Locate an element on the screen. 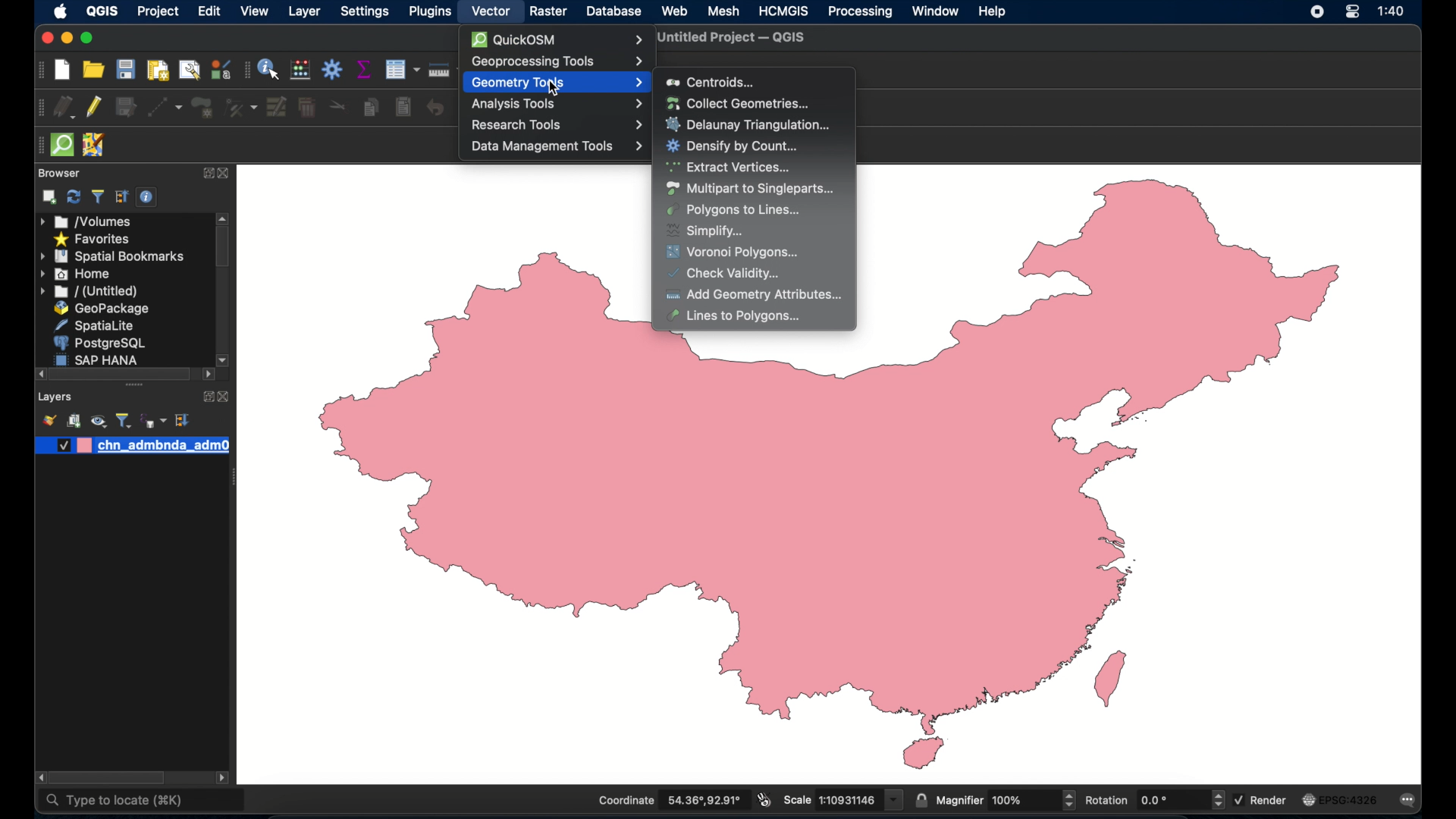 The image size is (1456, 819). add polygon is located at coordinates (202, 108).